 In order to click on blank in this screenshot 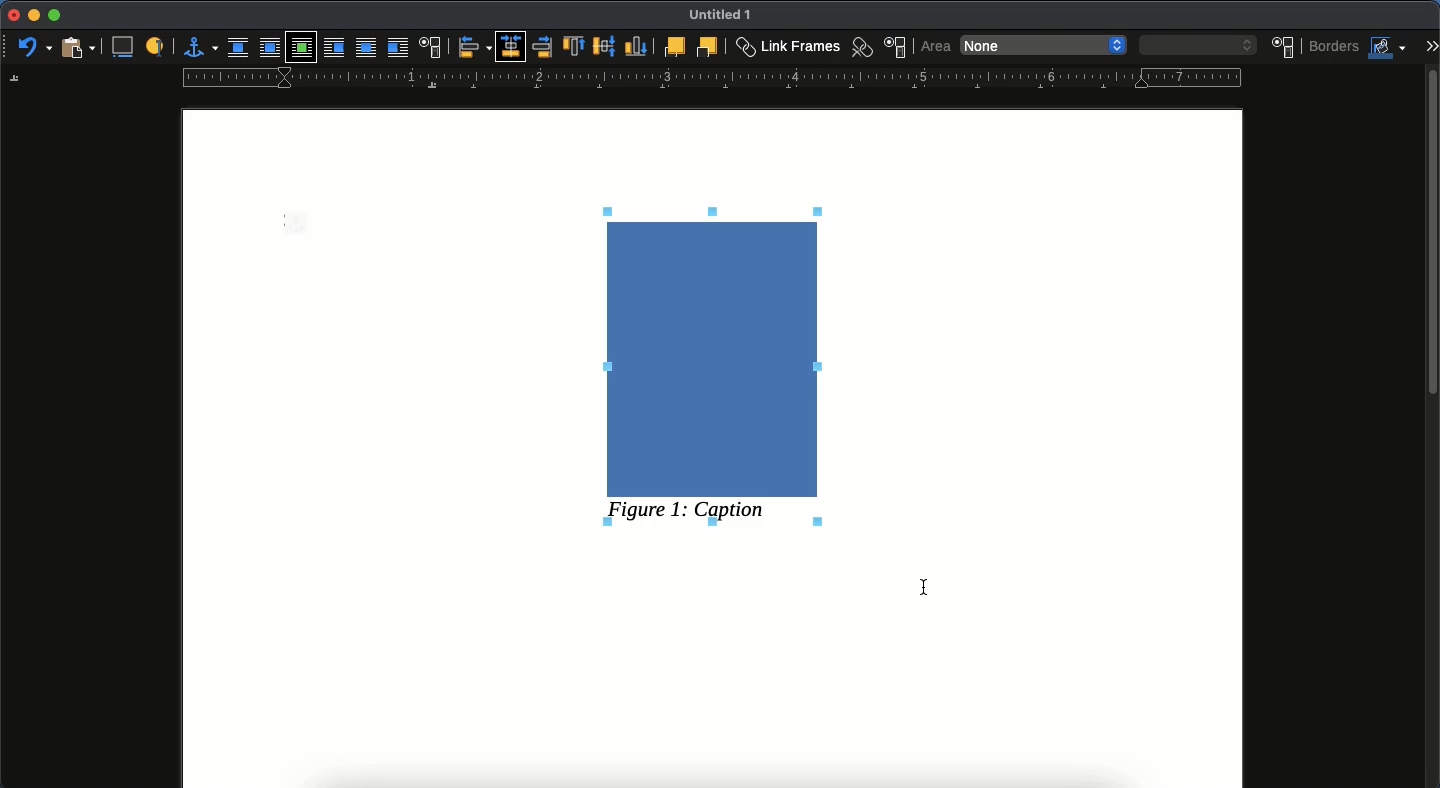, I will do `click(1199, 45)`.